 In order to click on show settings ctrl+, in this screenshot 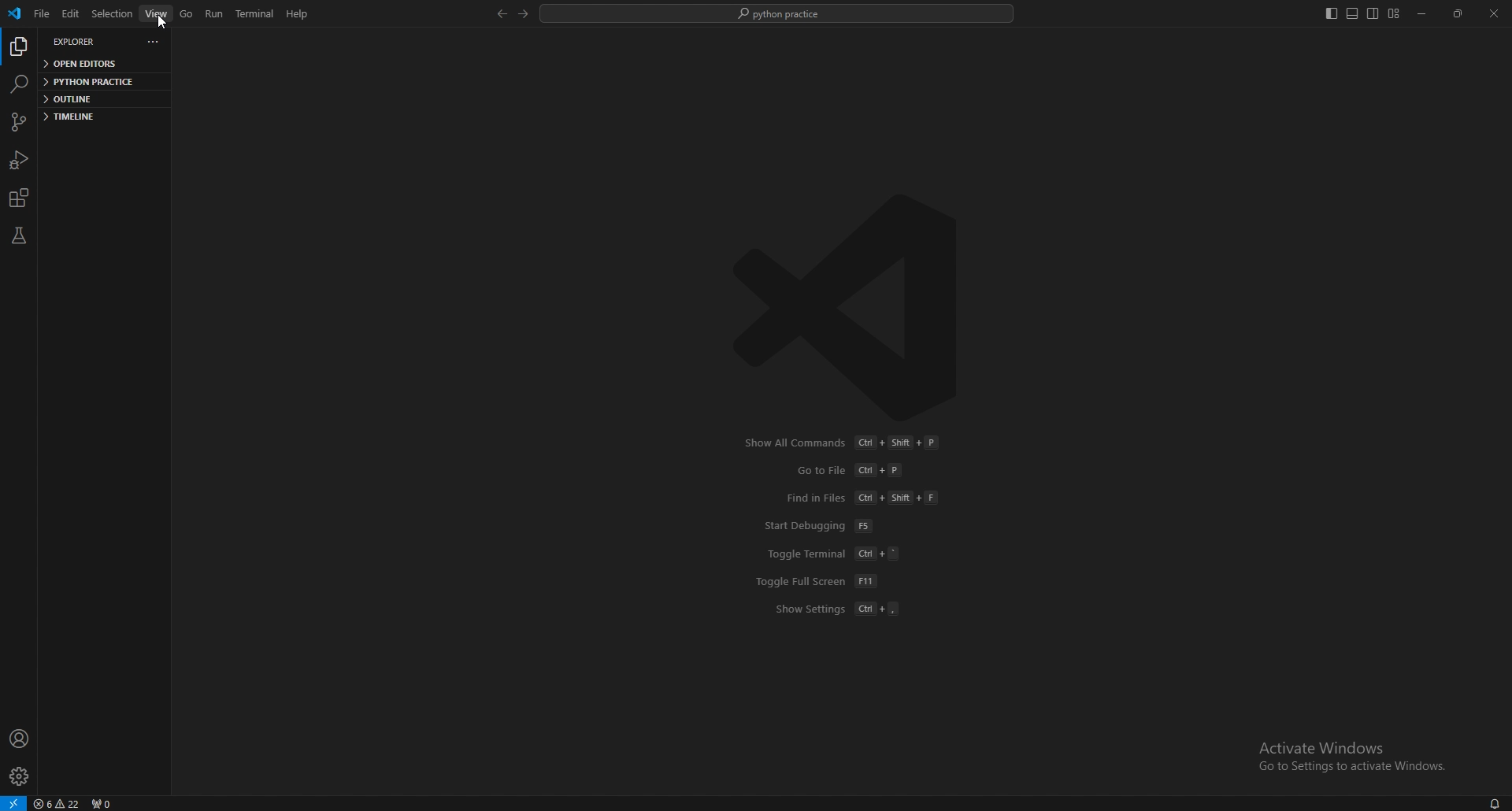, I will do `click(839, 609)`.